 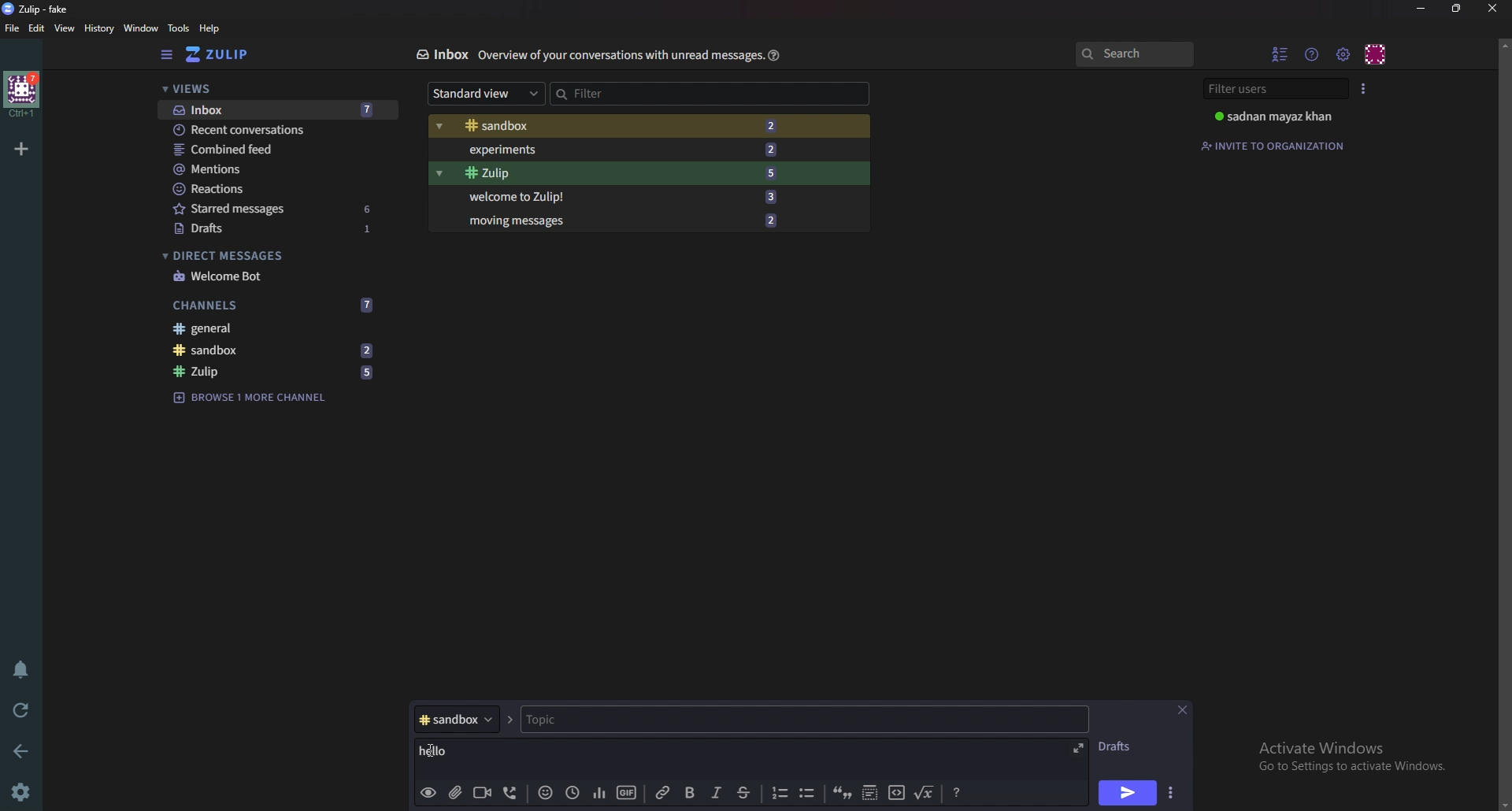 What do you see at coordinates (241, 306) in the screenshot?
I see `Channels` at bounding box center [241, 306].